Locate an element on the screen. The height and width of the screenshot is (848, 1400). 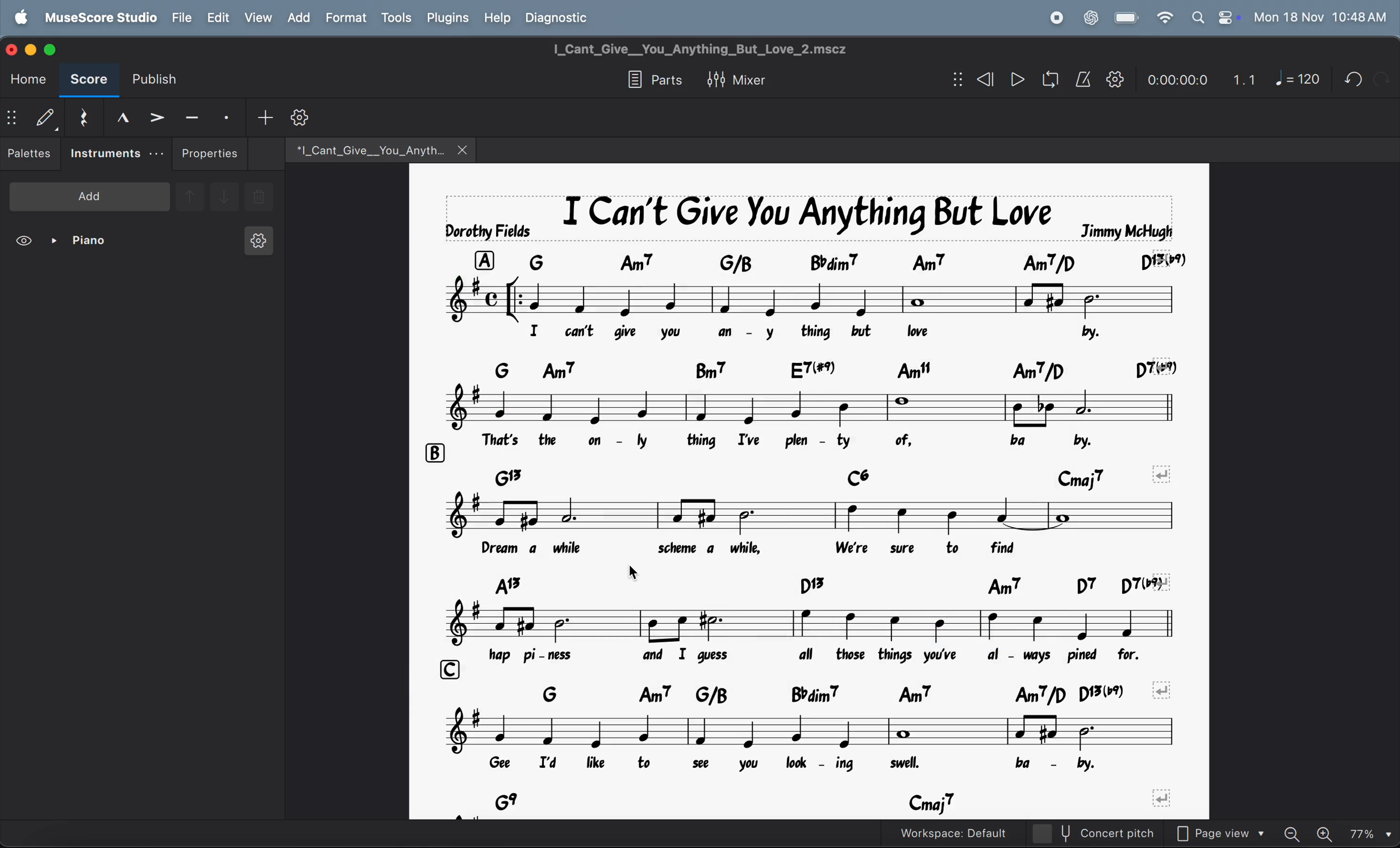
record is located at coordinates (1056, 18).